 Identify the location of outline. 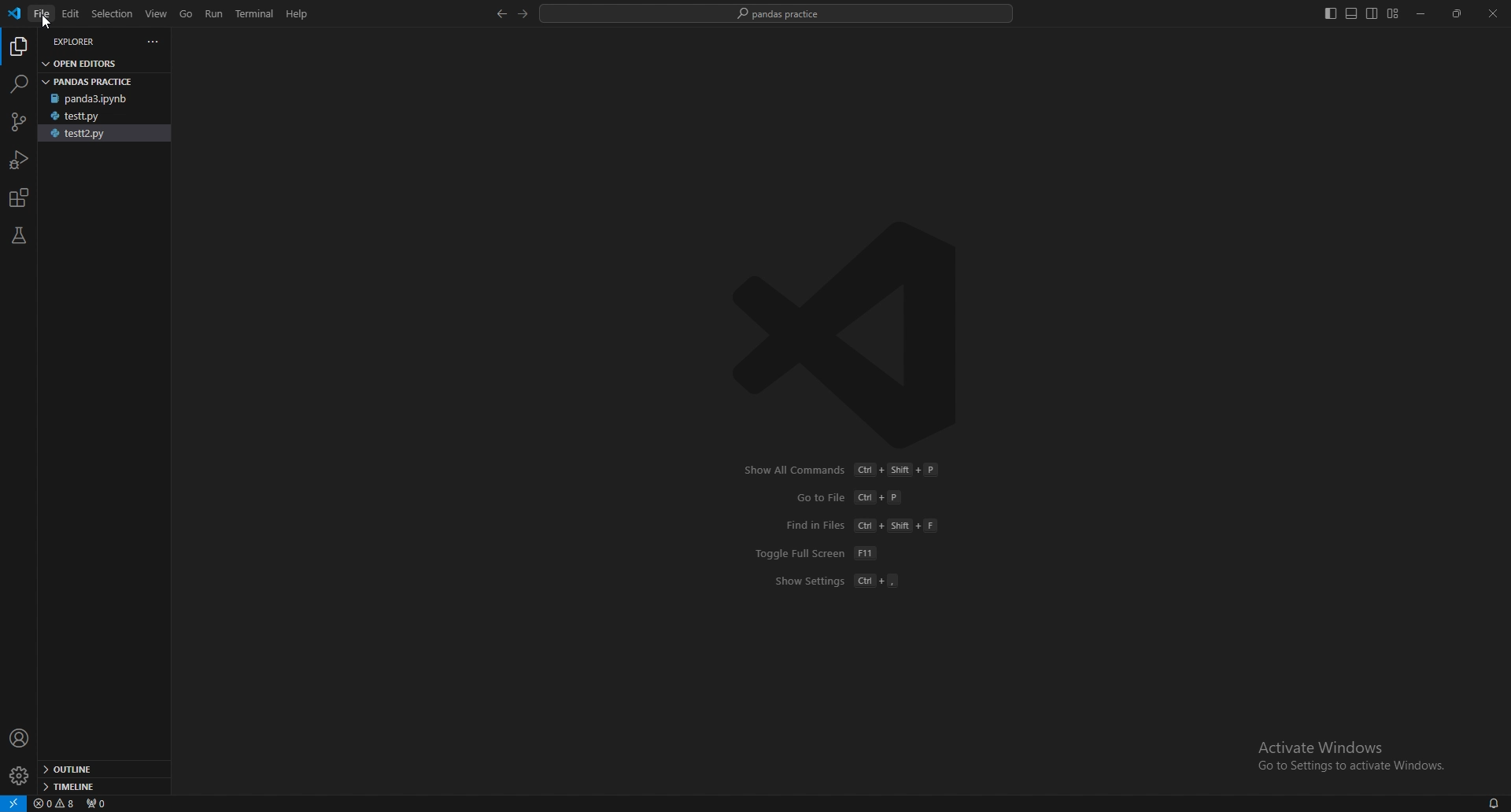
(101, 770).